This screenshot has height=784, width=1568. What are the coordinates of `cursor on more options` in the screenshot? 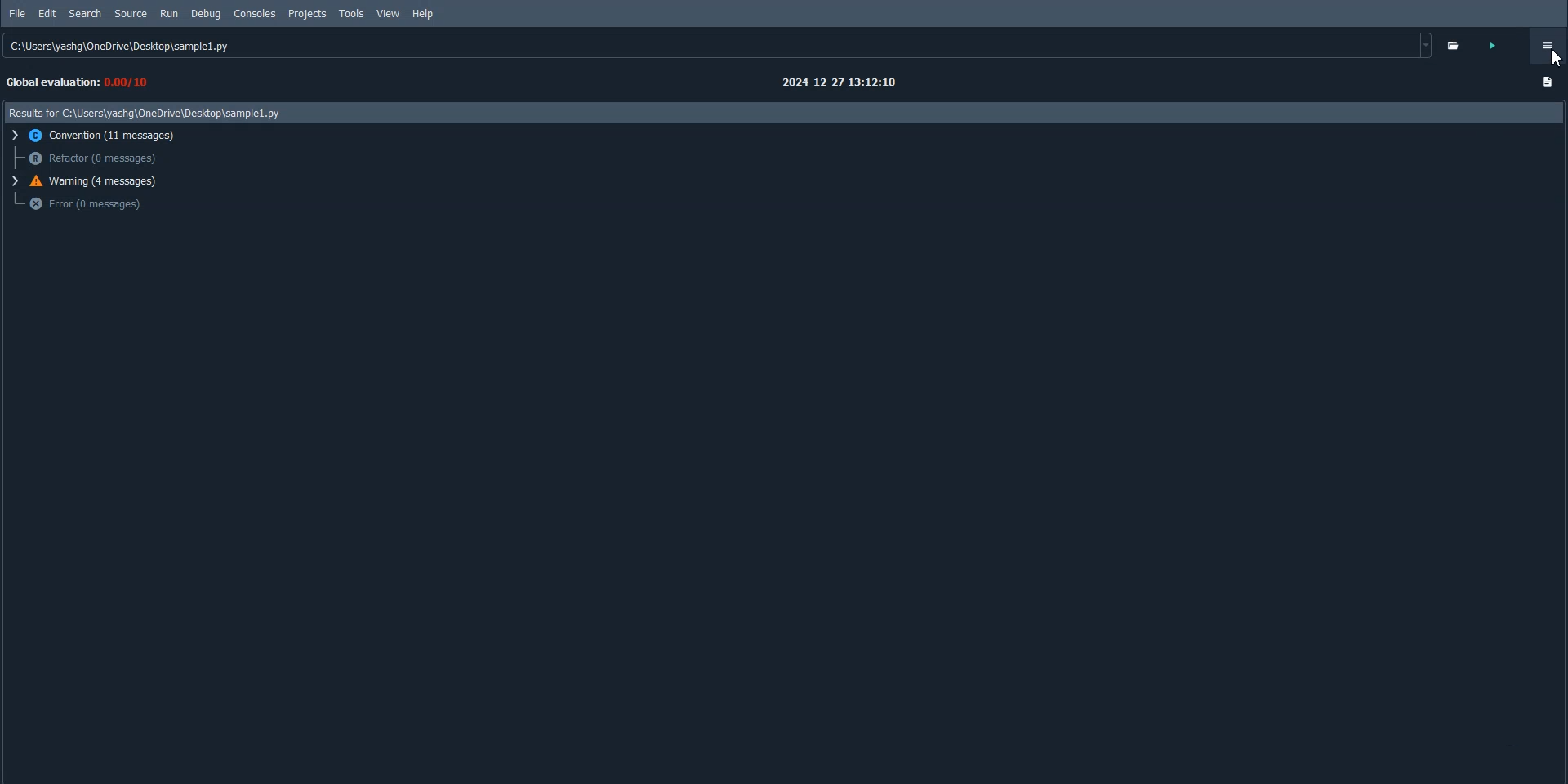 It's located at (1552, 64).